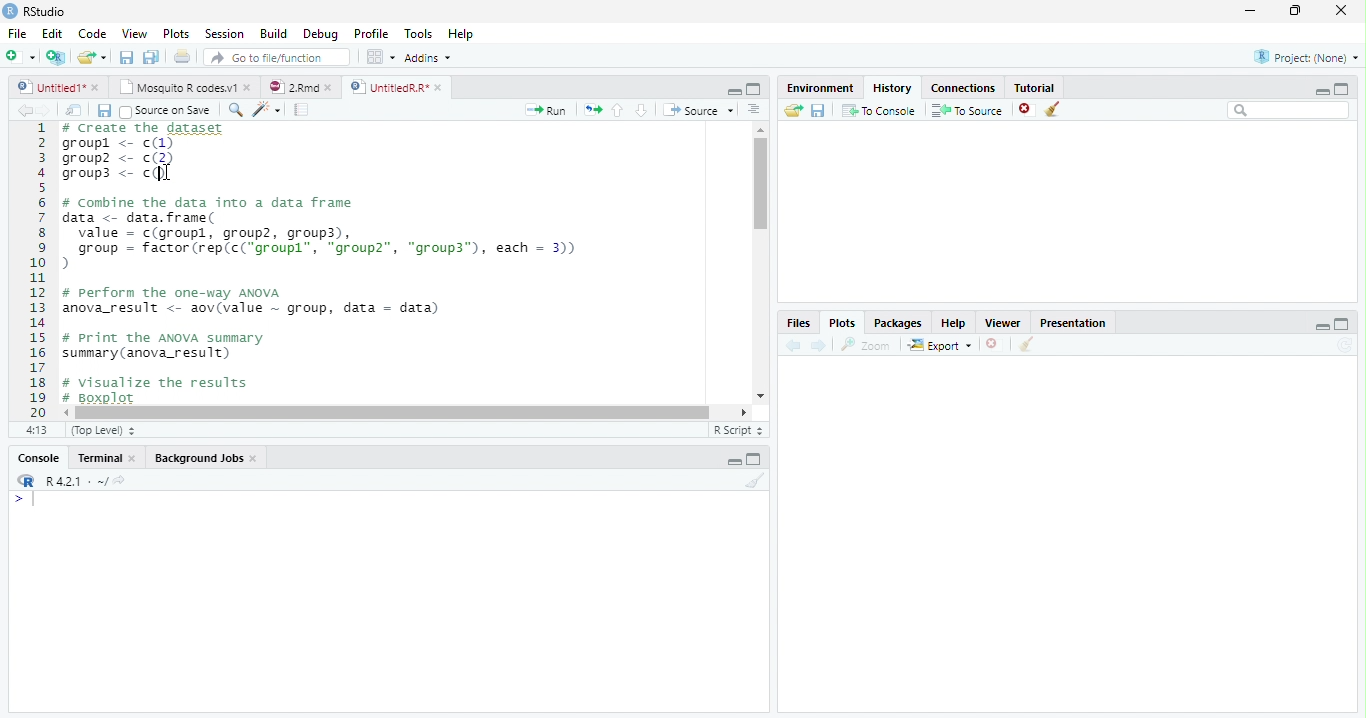  What do you see at coordinates (370, 34) in the screenshot?
I see `Profile` at bounding box center [370, 34].